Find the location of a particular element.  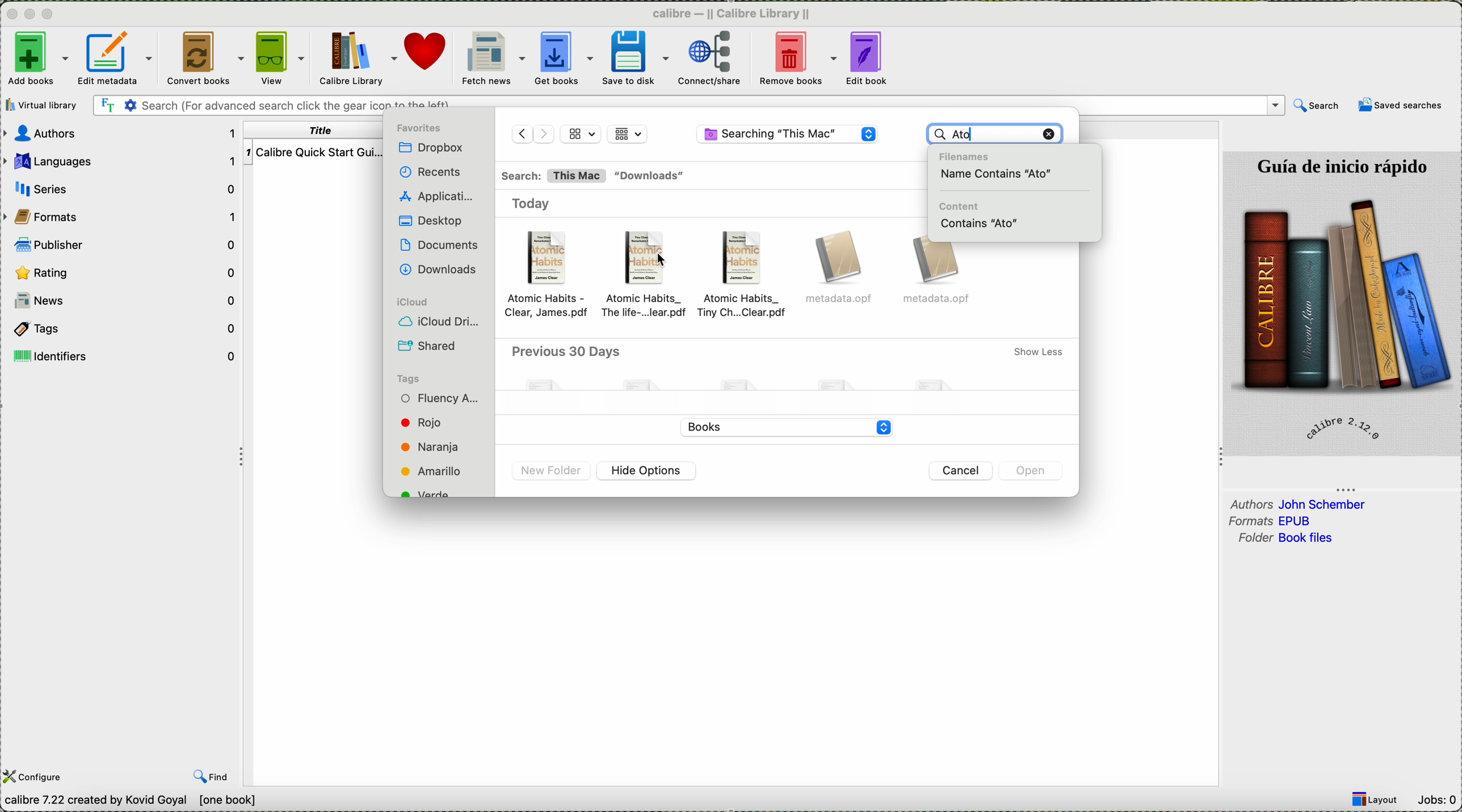

desktop is located at coordinates (427, 221).